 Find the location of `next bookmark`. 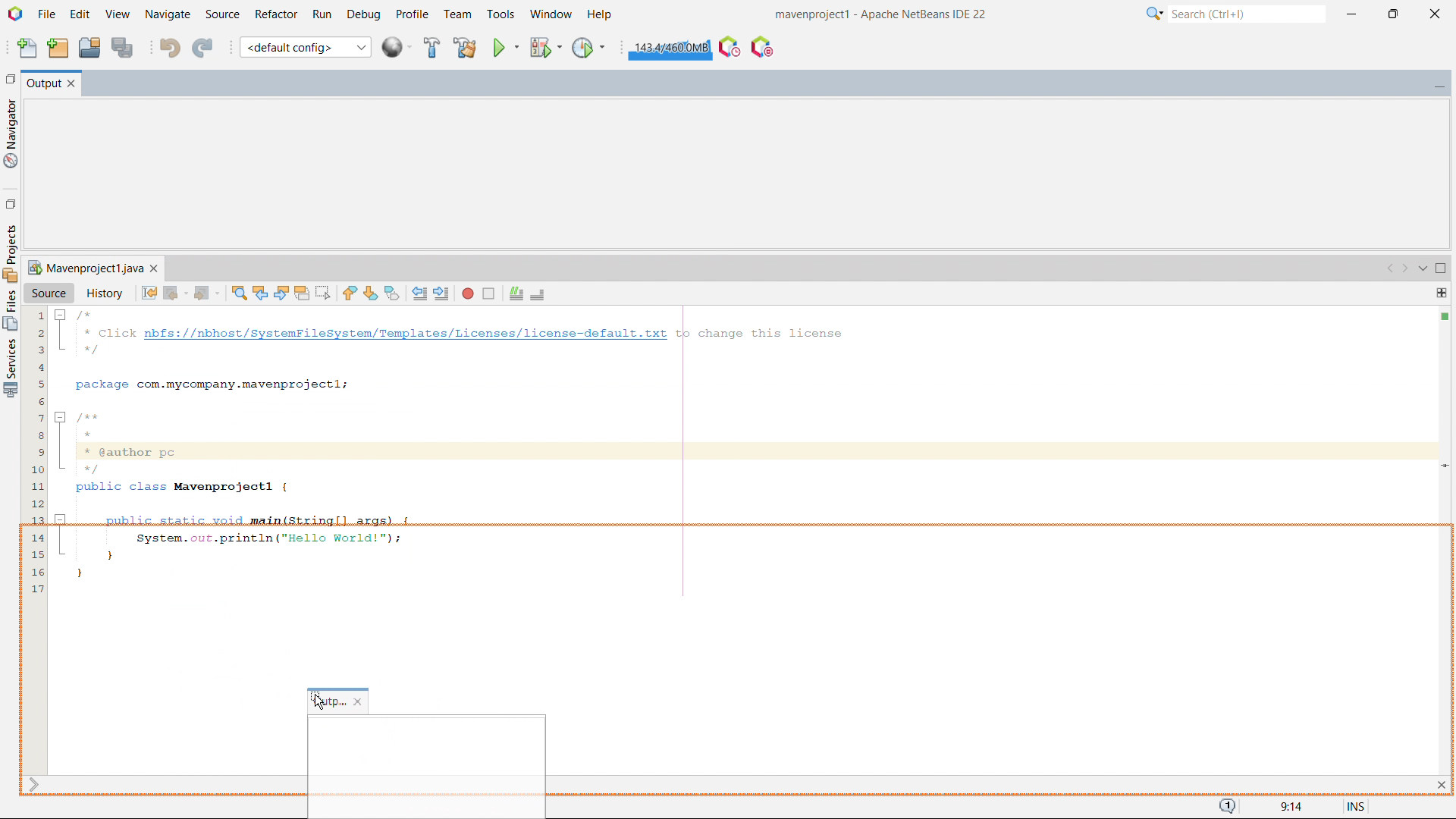

next bookmark is located at coordinates (371, 293).